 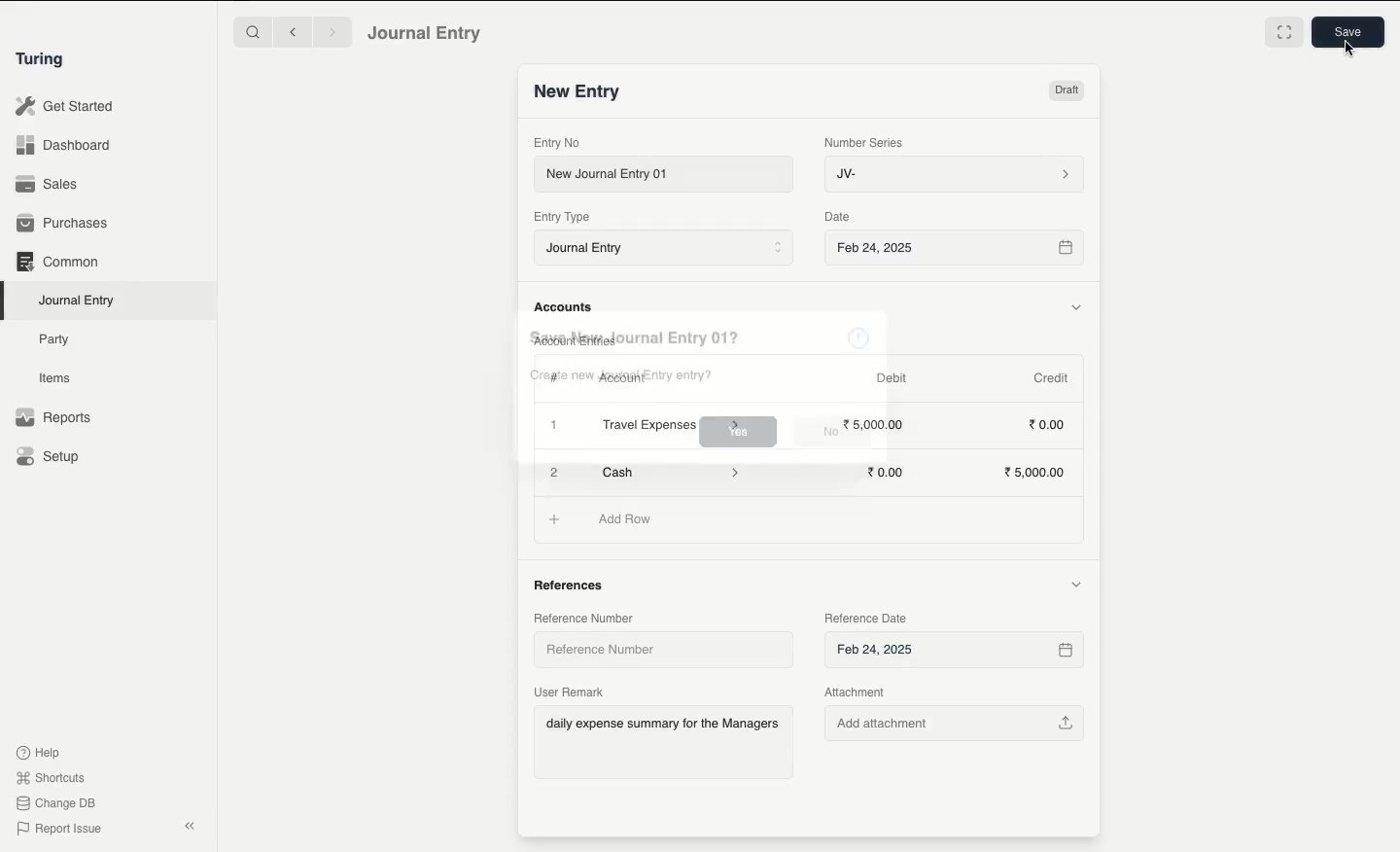 I want to click on Save, so click(x=1348, y=32).